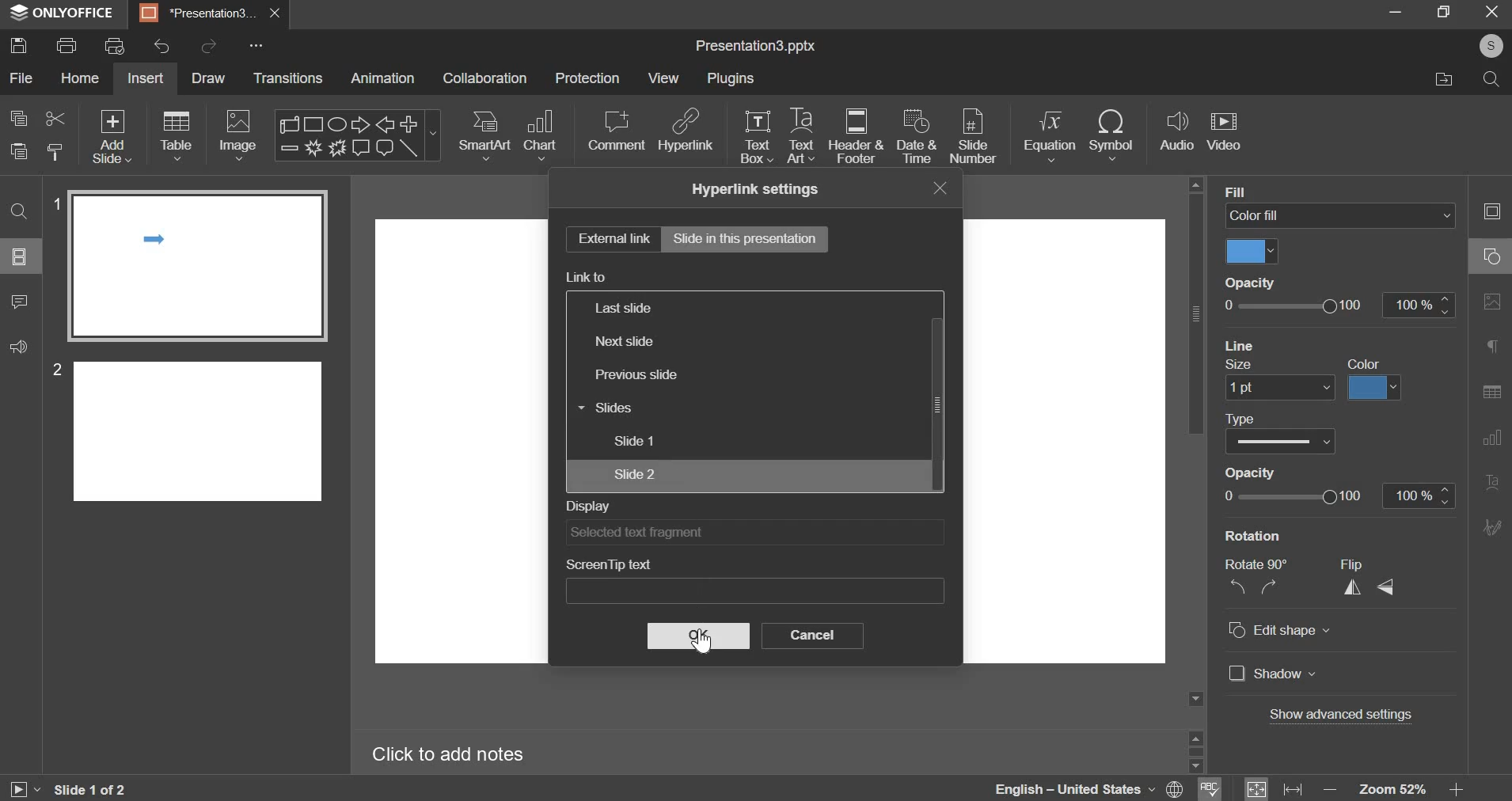 The image size is (1512, 801). Describe the element at coordinates (1224, 133) in the screenshot. I see `video` at that location.